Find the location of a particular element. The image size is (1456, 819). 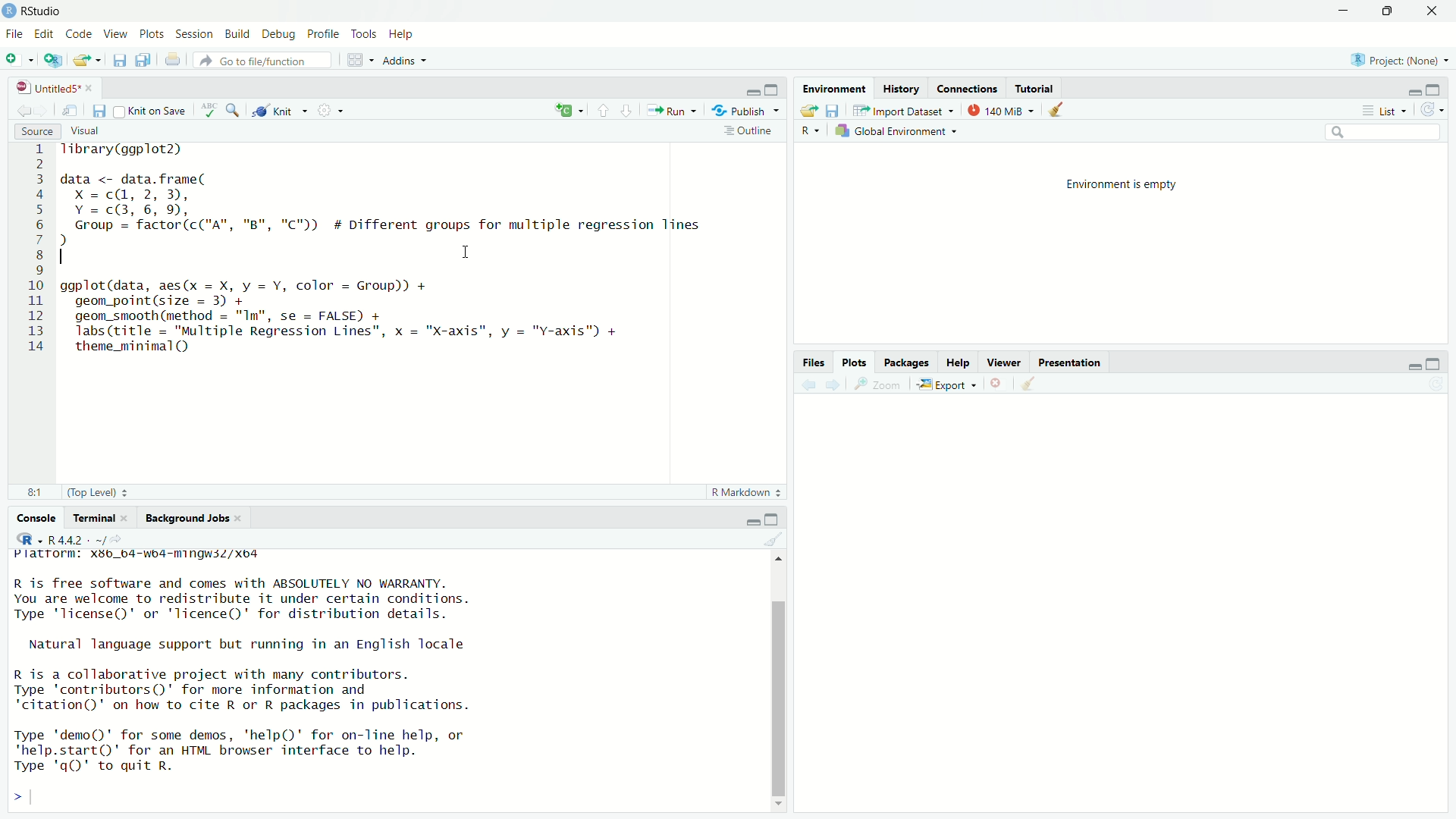

List is located at coordinates (1382, 109).